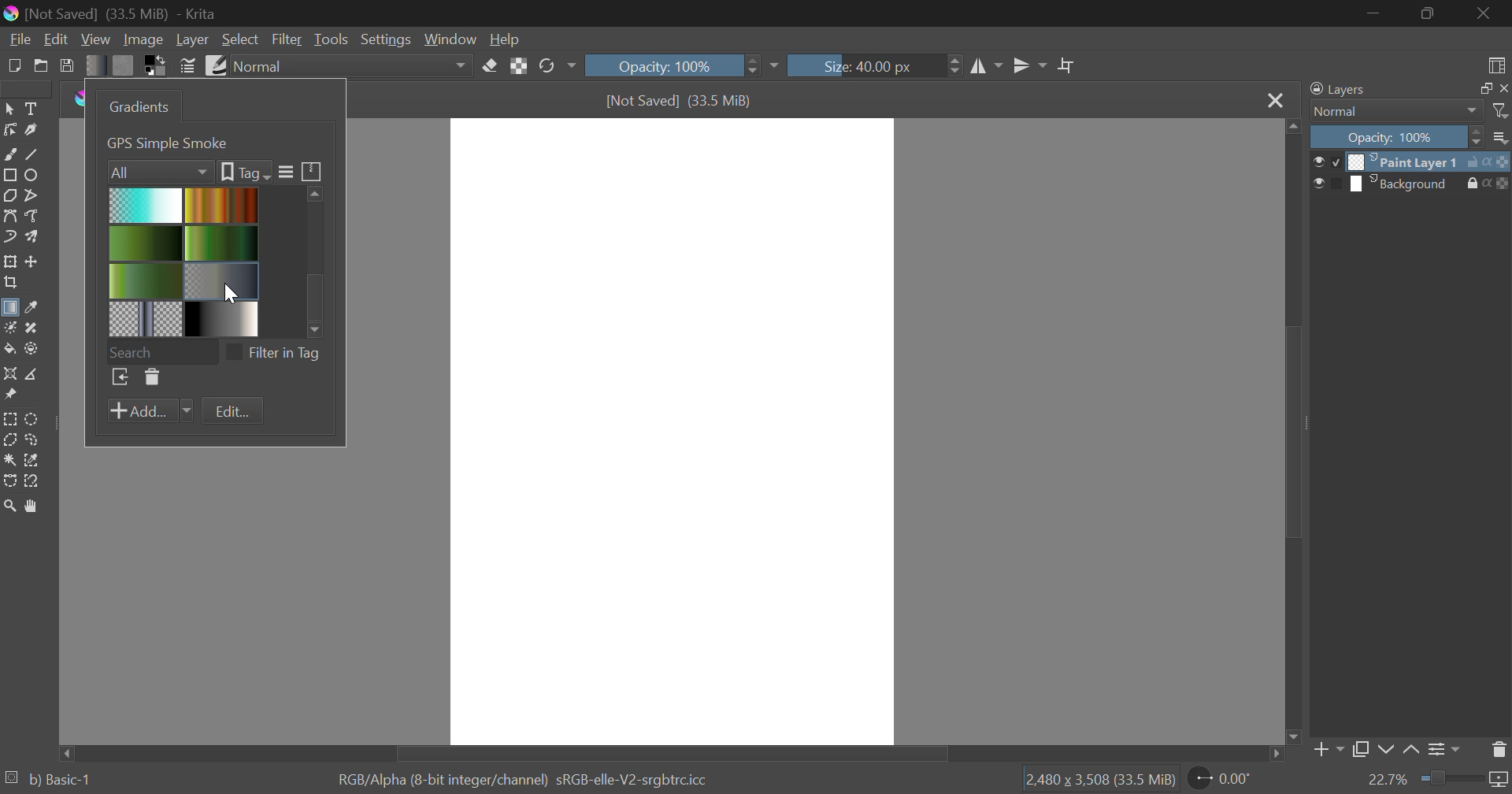 This screenshot has height=794, width=1512. I want to click on more options, so click(1501, 137).